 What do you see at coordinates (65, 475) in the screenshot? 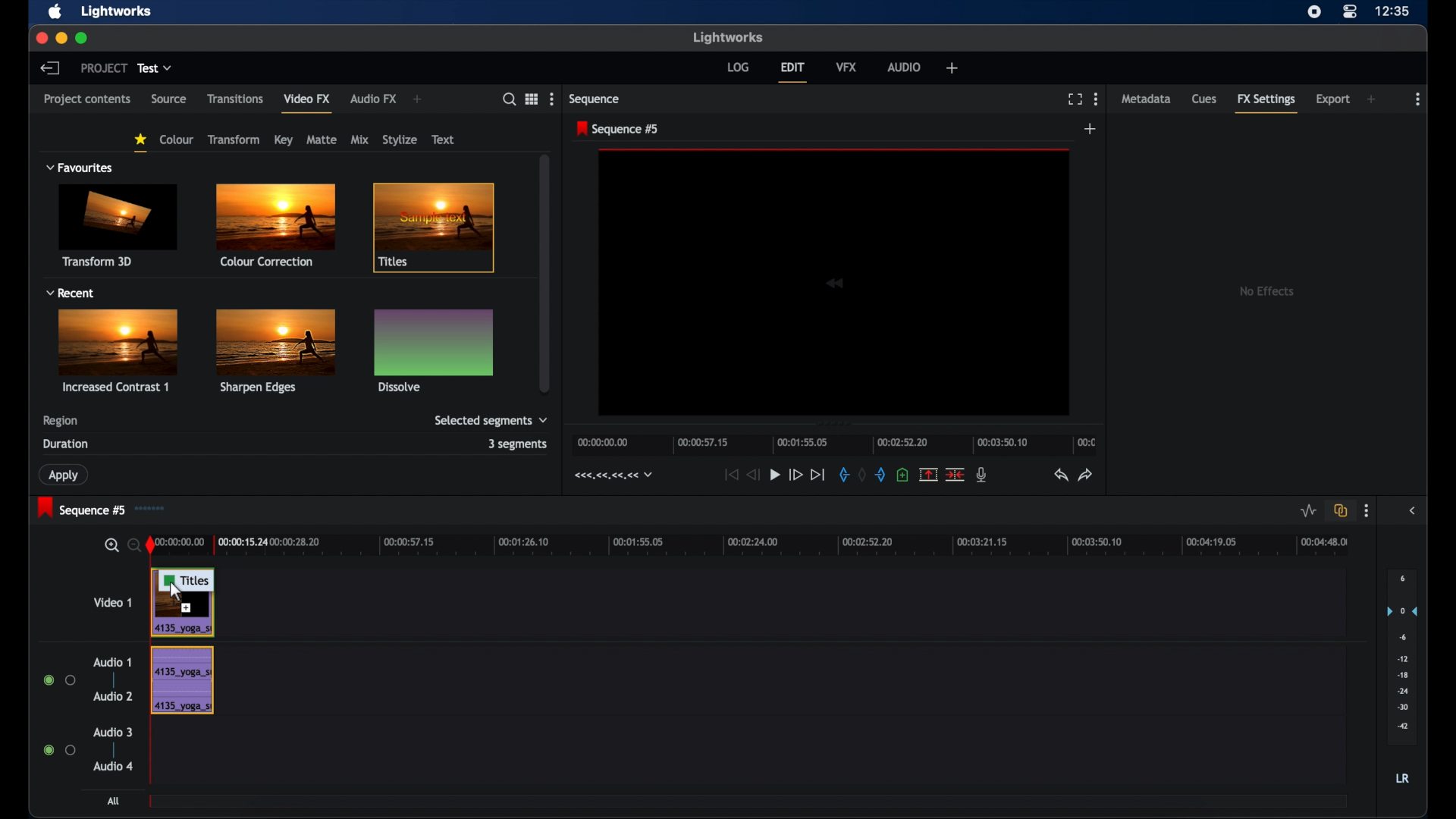
I see `apply` at bounding box center [65, 475].